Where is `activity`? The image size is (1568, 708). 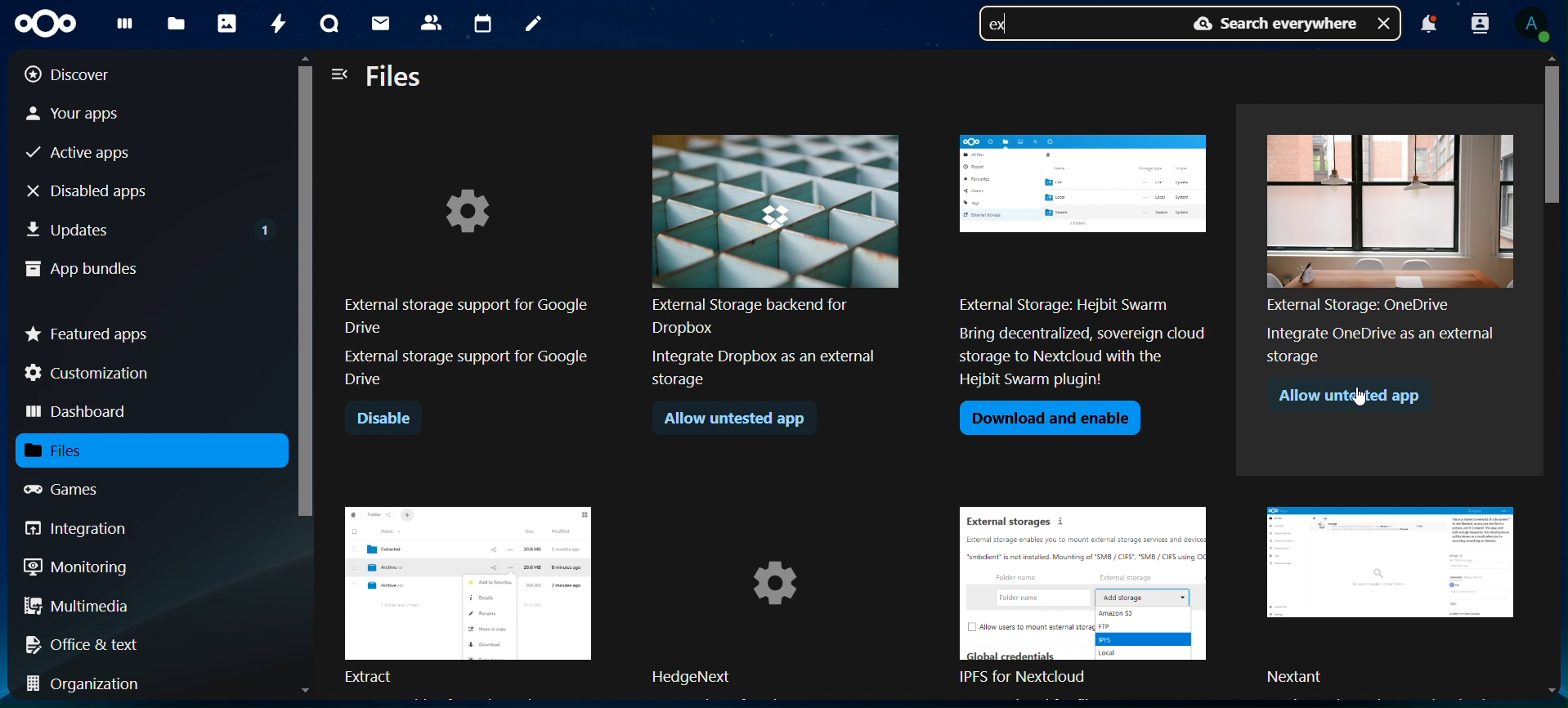 activity is located at coordinates (276, 24).